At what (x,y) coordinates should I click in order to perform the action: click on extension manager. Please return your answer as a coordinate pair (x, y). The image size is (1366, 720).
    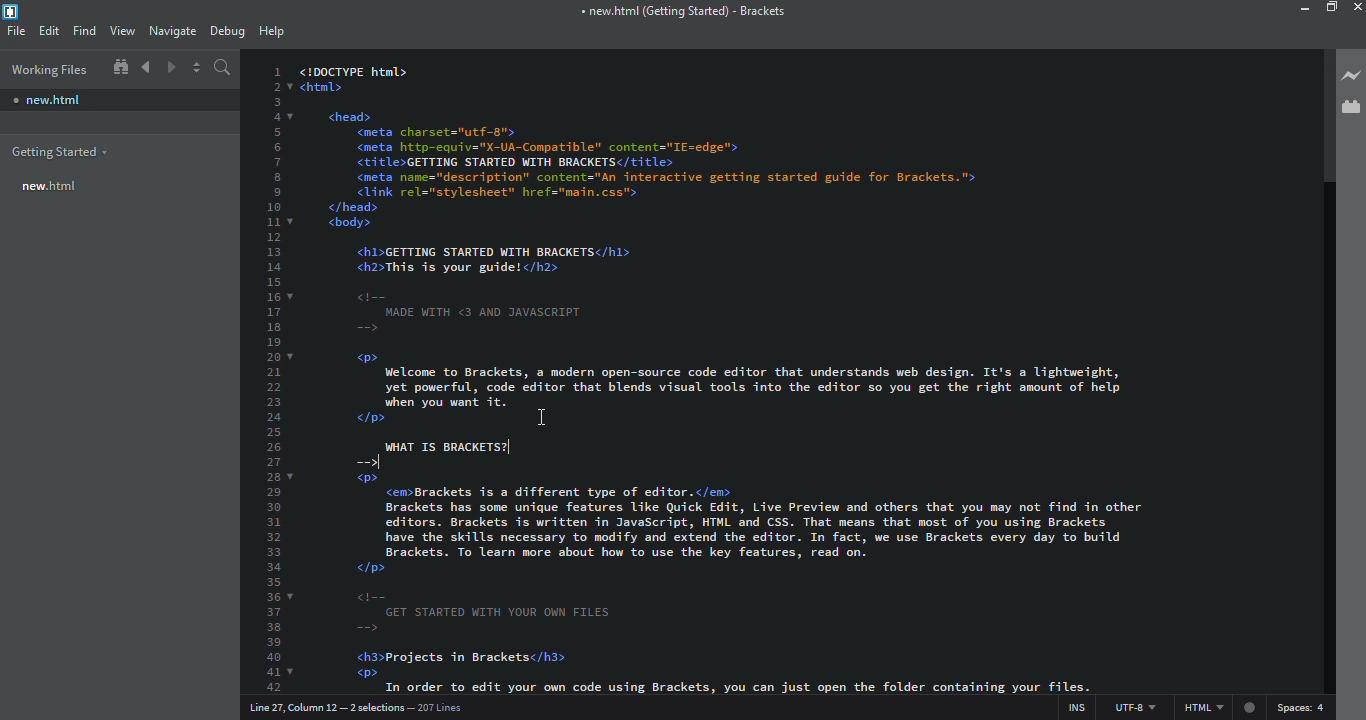
    Looking at the image, I should click on (1351, 108).